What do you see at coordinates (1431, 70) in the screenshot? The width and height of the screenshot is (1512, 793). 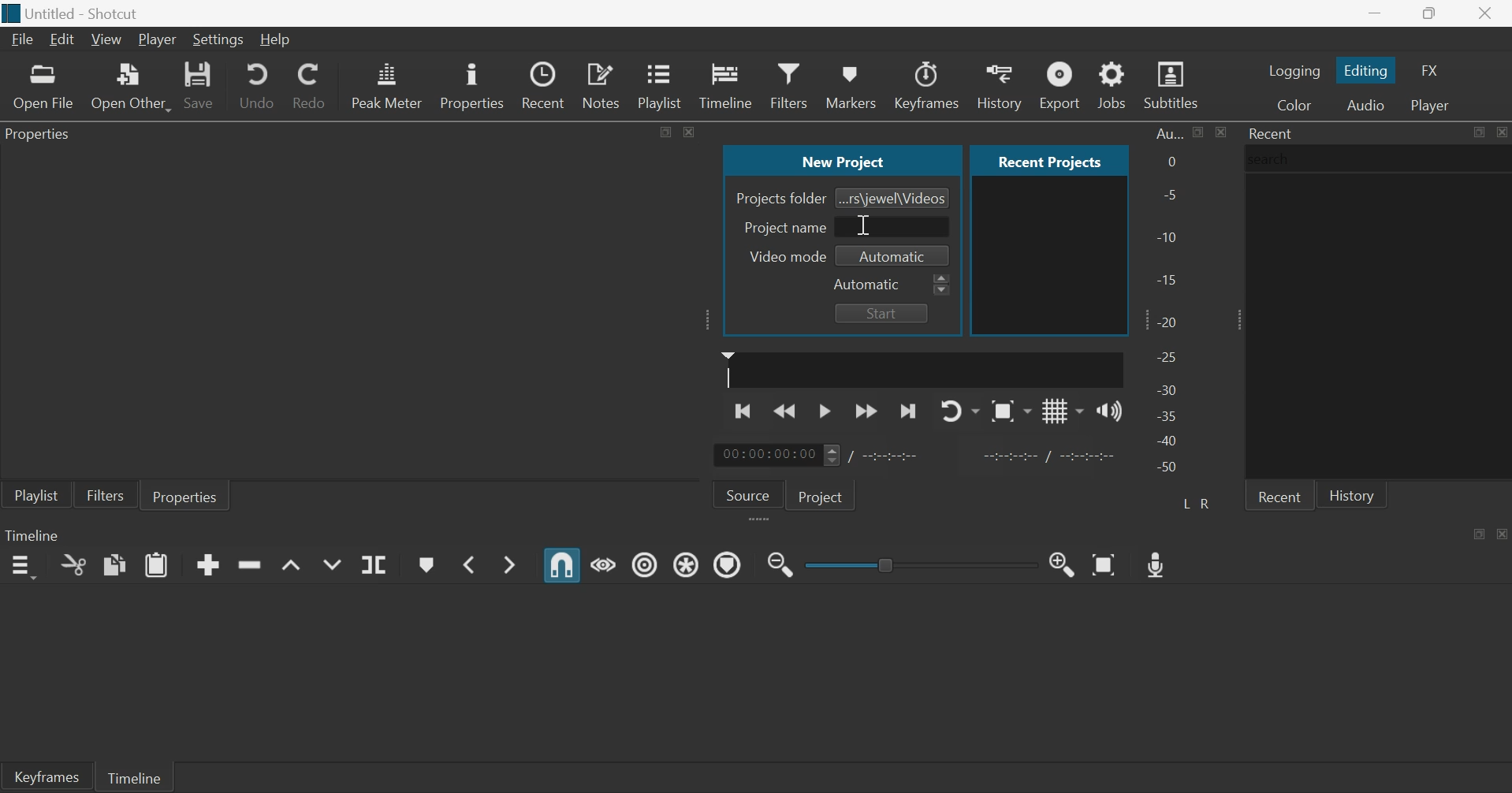 I see `Switch to the effects layout` at bounding box center [1431, 70].